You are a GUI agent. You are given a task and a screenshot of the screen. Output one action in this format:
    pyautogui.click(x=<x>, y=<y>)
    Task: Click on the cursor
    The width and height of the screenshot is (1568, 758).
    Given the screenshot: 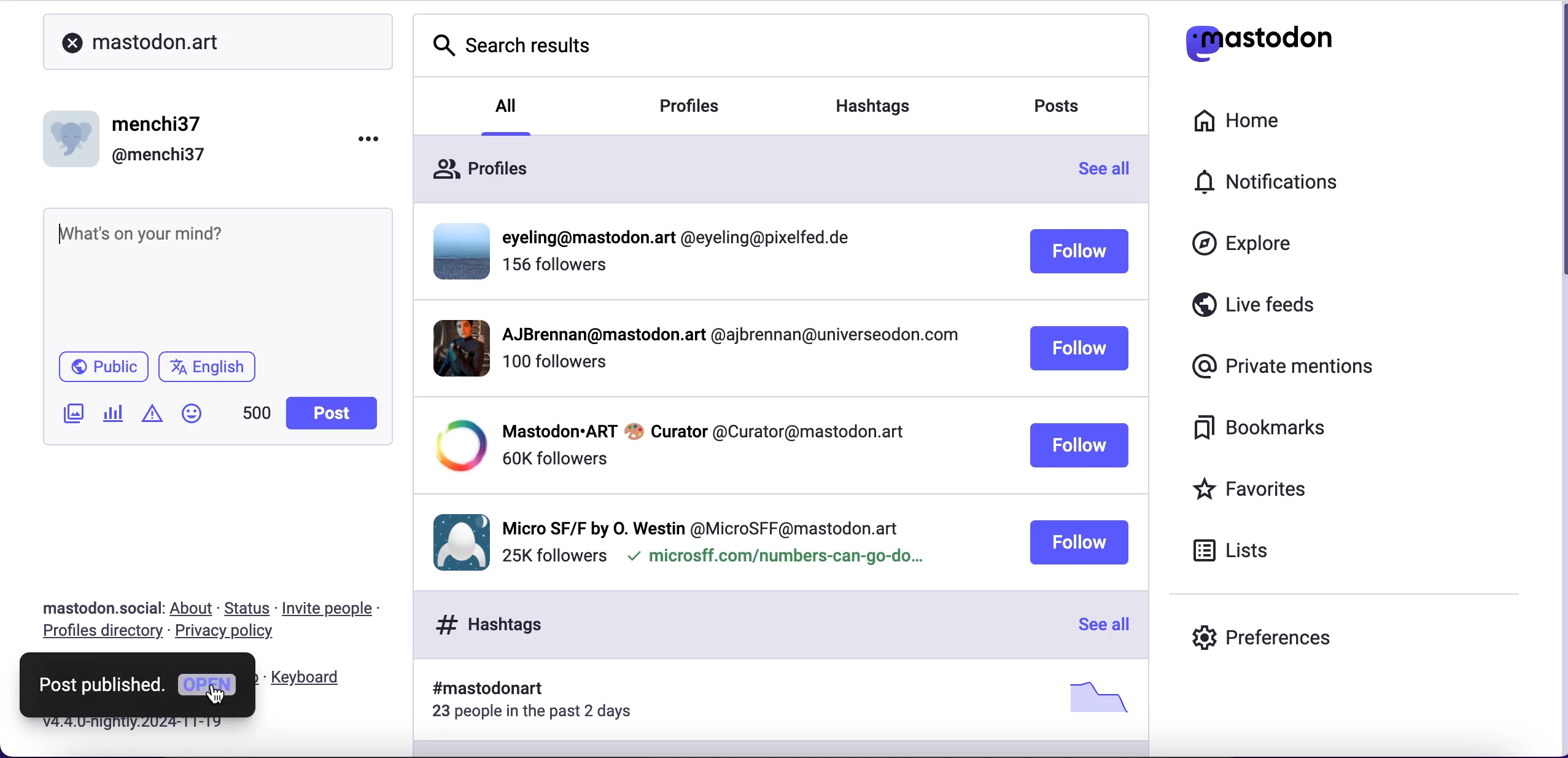 What is the action you would take?
    pyautogui.click(x=217, y=694)
    